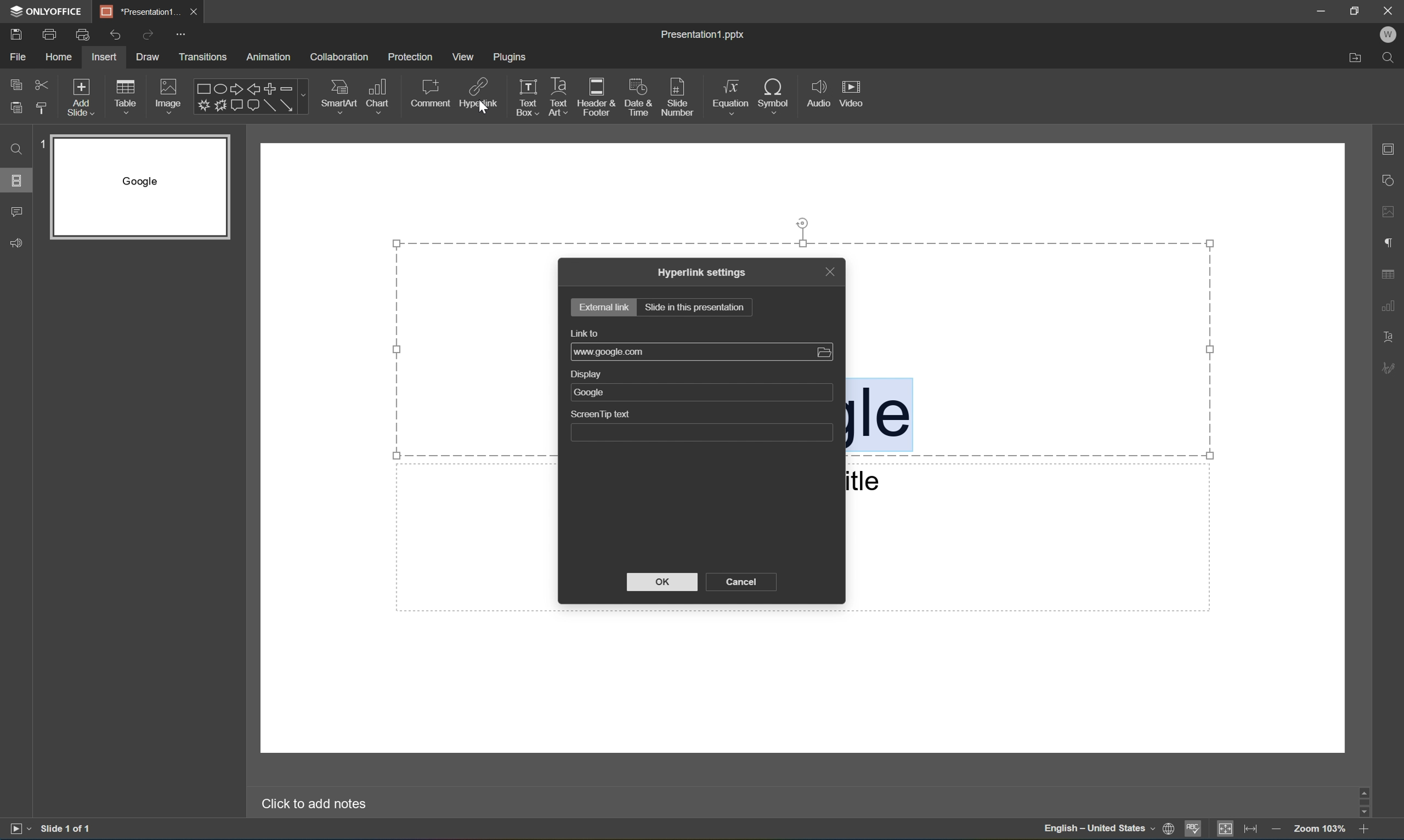  Describe the element at coordinates (15, 83) in the screenshot. I see `Copy` at that location.